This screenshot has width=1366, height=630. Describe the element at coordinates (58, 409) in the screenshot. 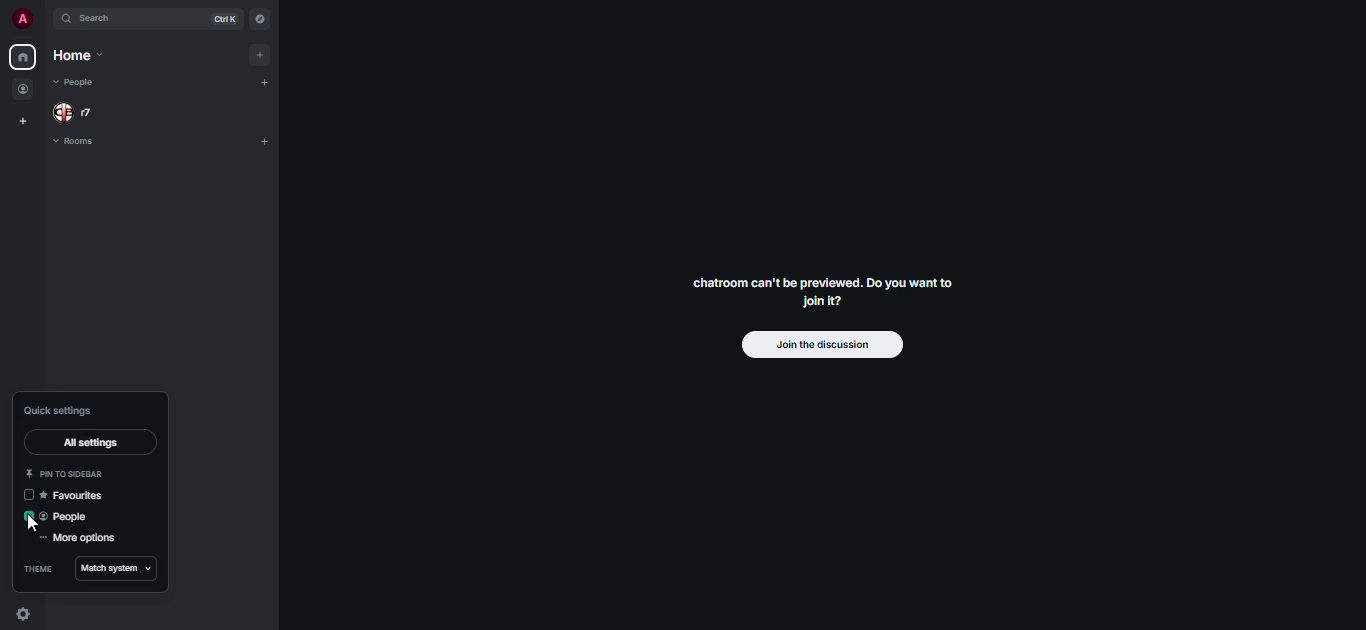

I see `quick settings` at that location.